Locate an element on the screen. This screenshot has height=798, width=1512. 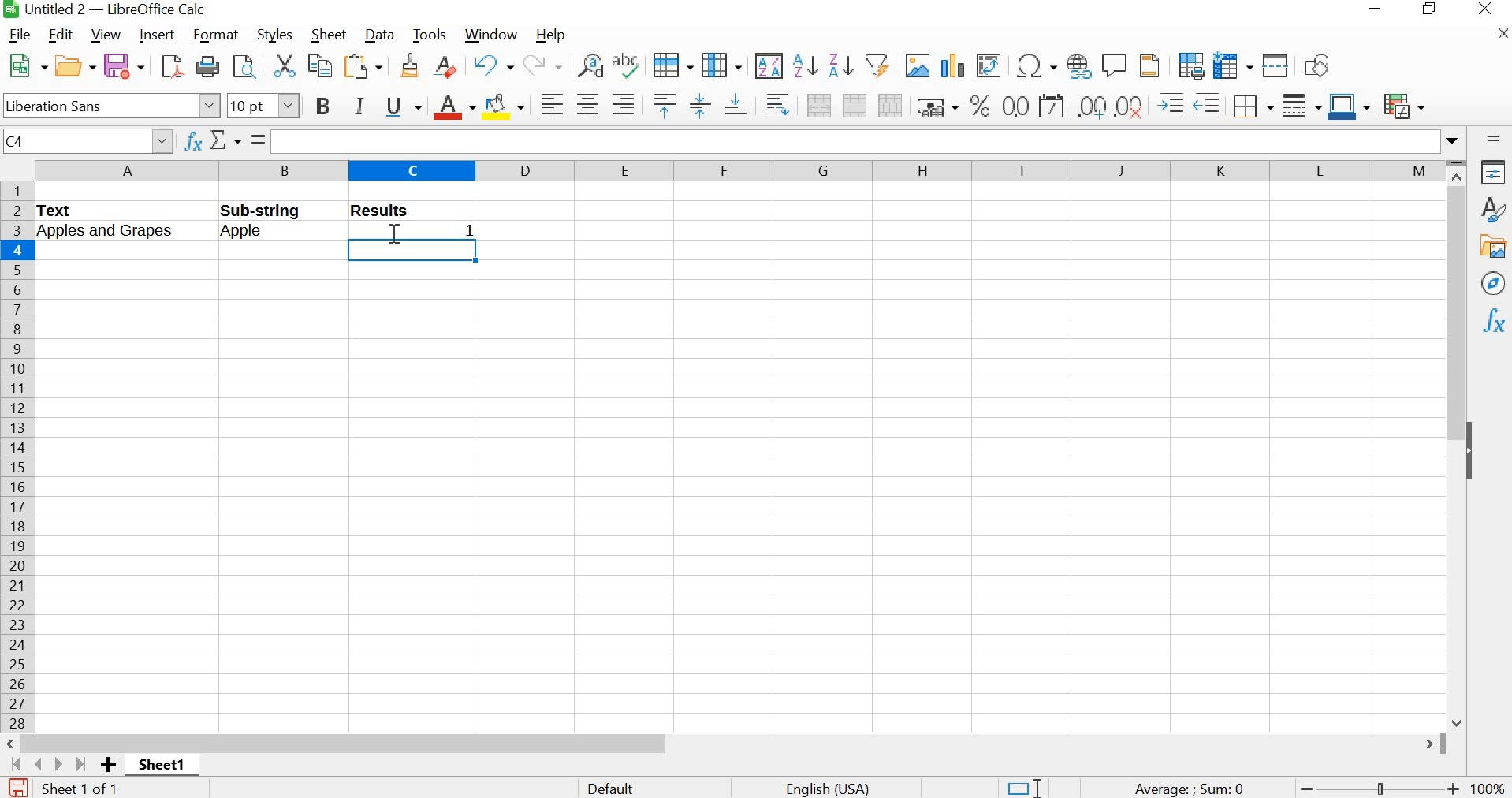
spelling is located at coordinates (624, 67).